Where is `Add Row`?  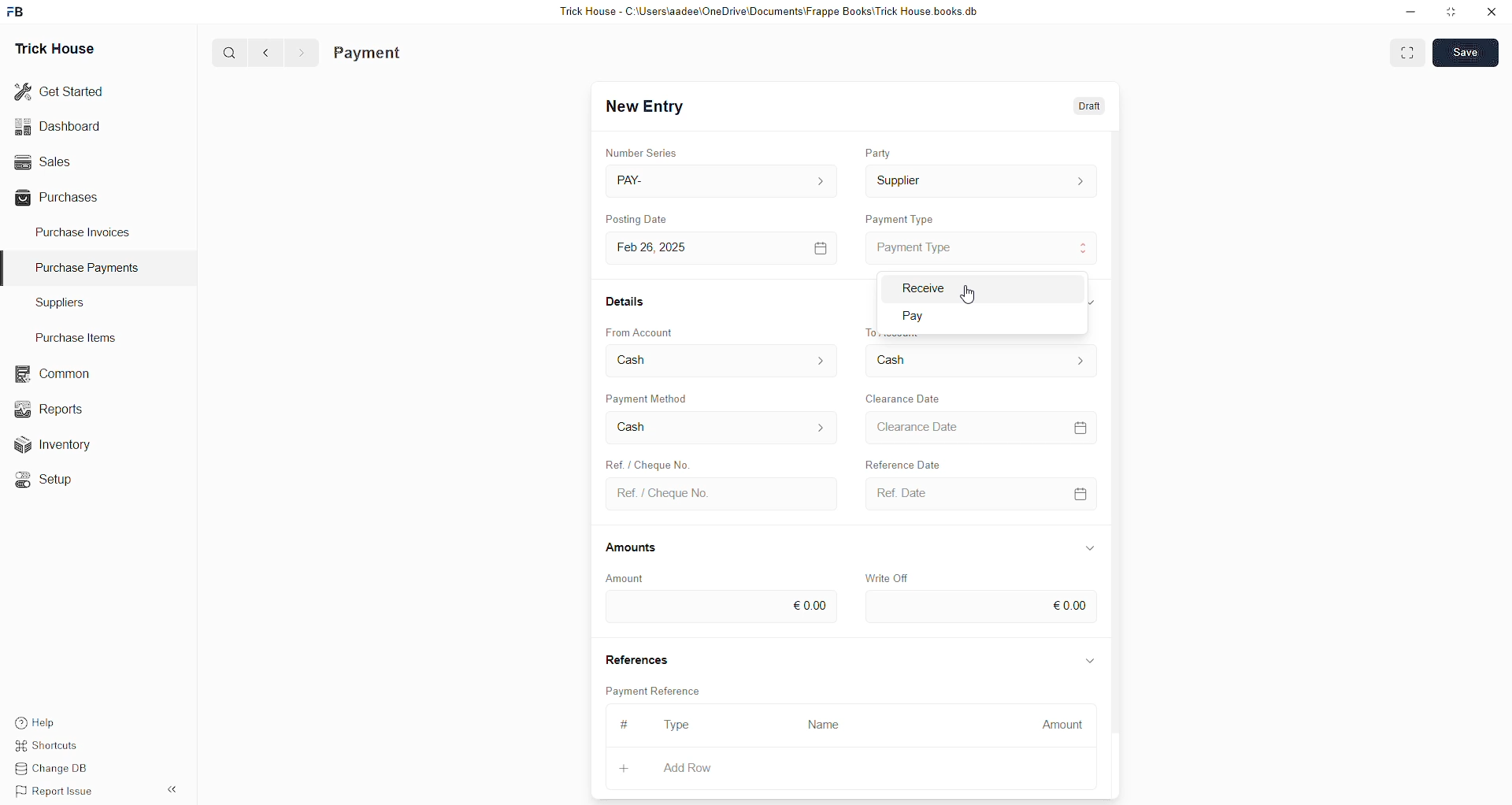
Add Row is located at coordinates (687, 767).